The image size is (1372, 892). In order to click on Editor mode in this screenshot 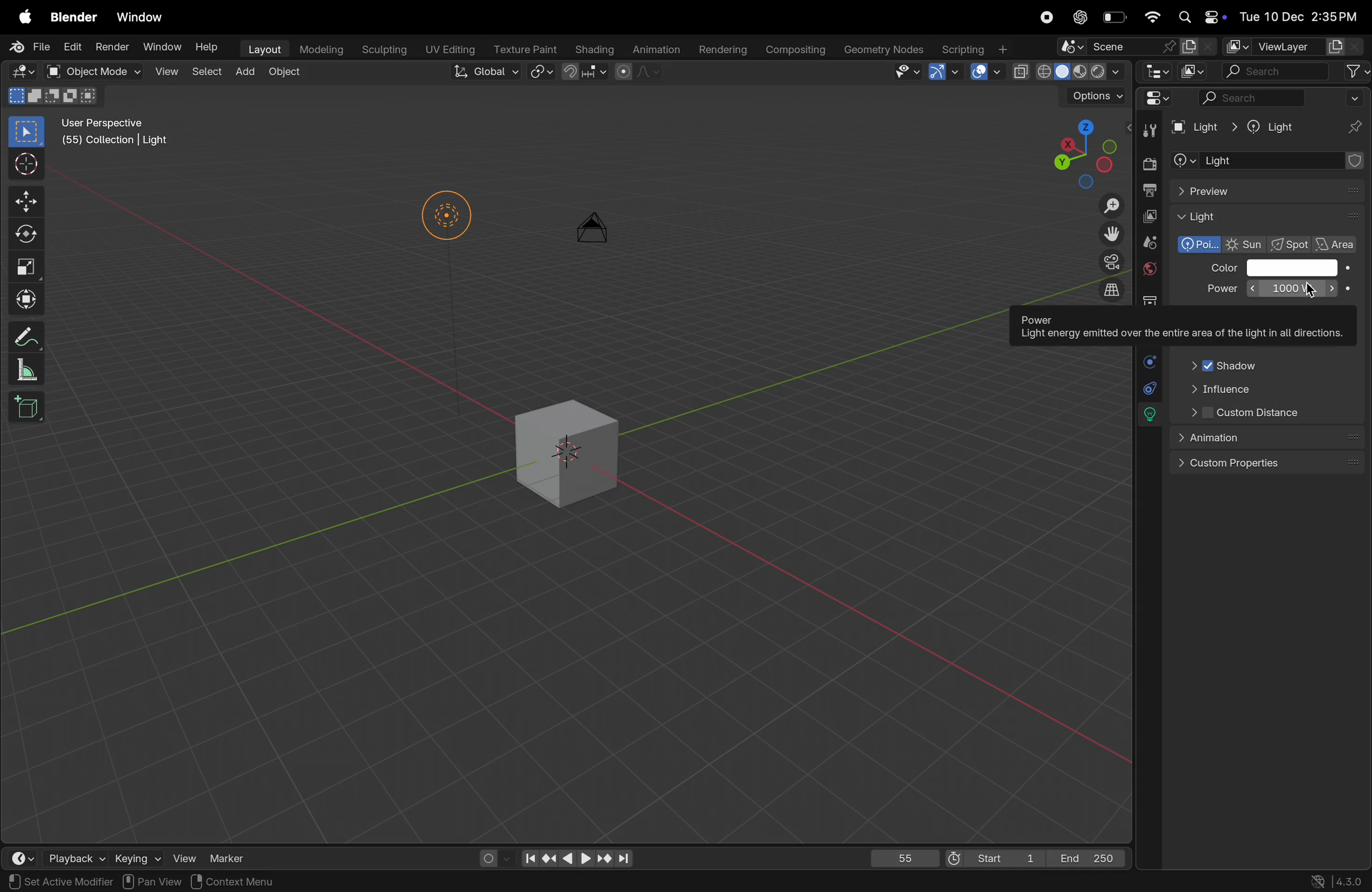, I will do `click(1156, 101)`.